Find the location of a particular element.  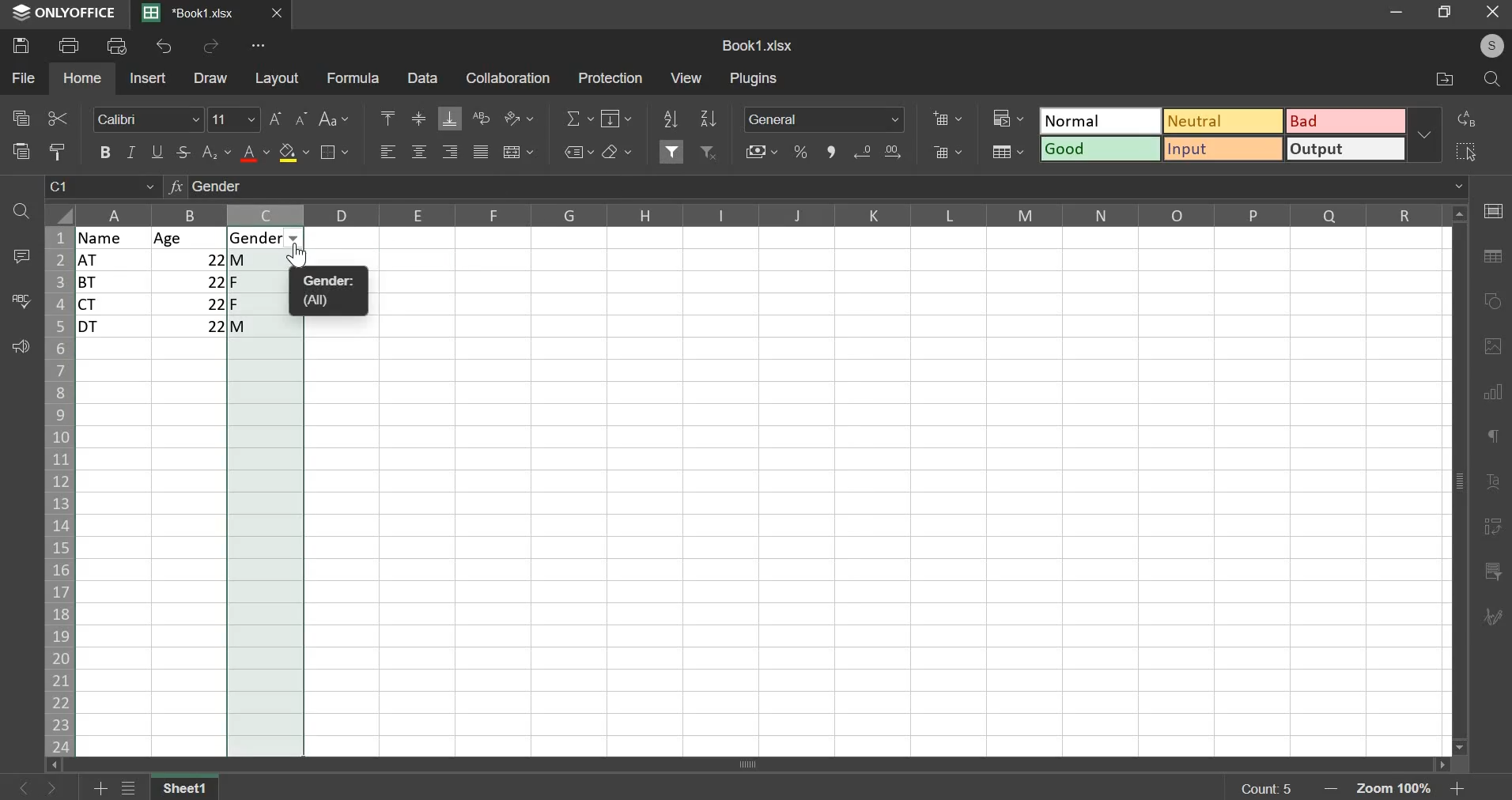

onlyoffice is located at coordinates (65, 14).